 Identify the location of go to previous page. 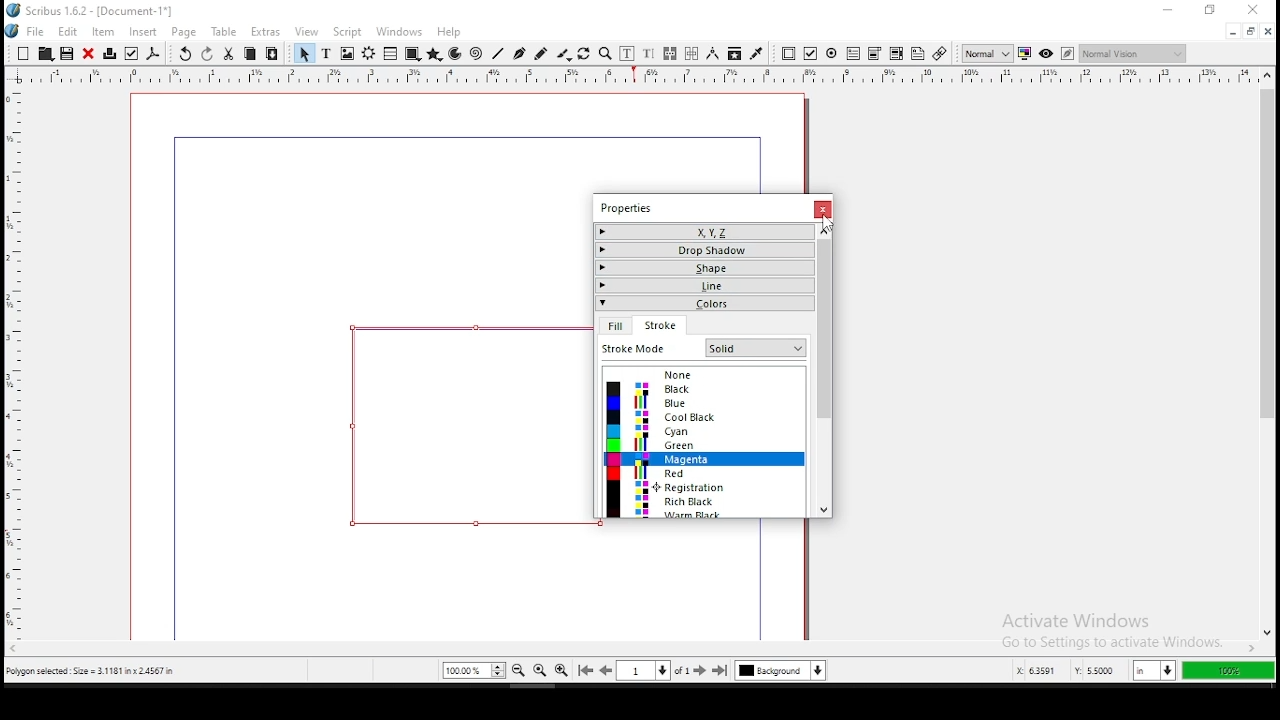
(608, 670).